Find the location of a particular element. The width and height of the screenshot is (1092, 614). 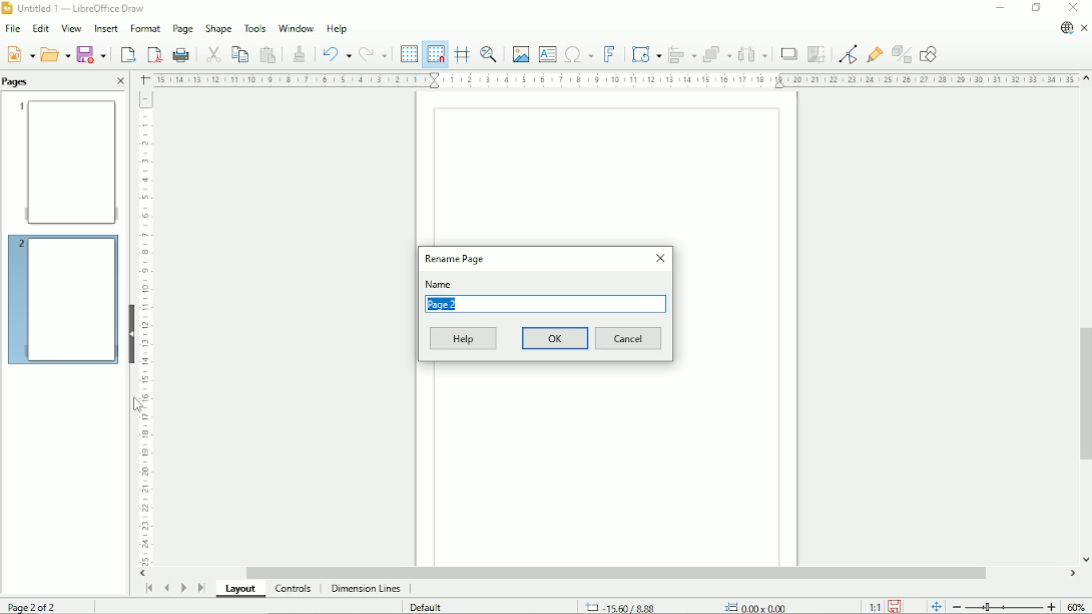

Close document is located at coordinates (1085, 29).